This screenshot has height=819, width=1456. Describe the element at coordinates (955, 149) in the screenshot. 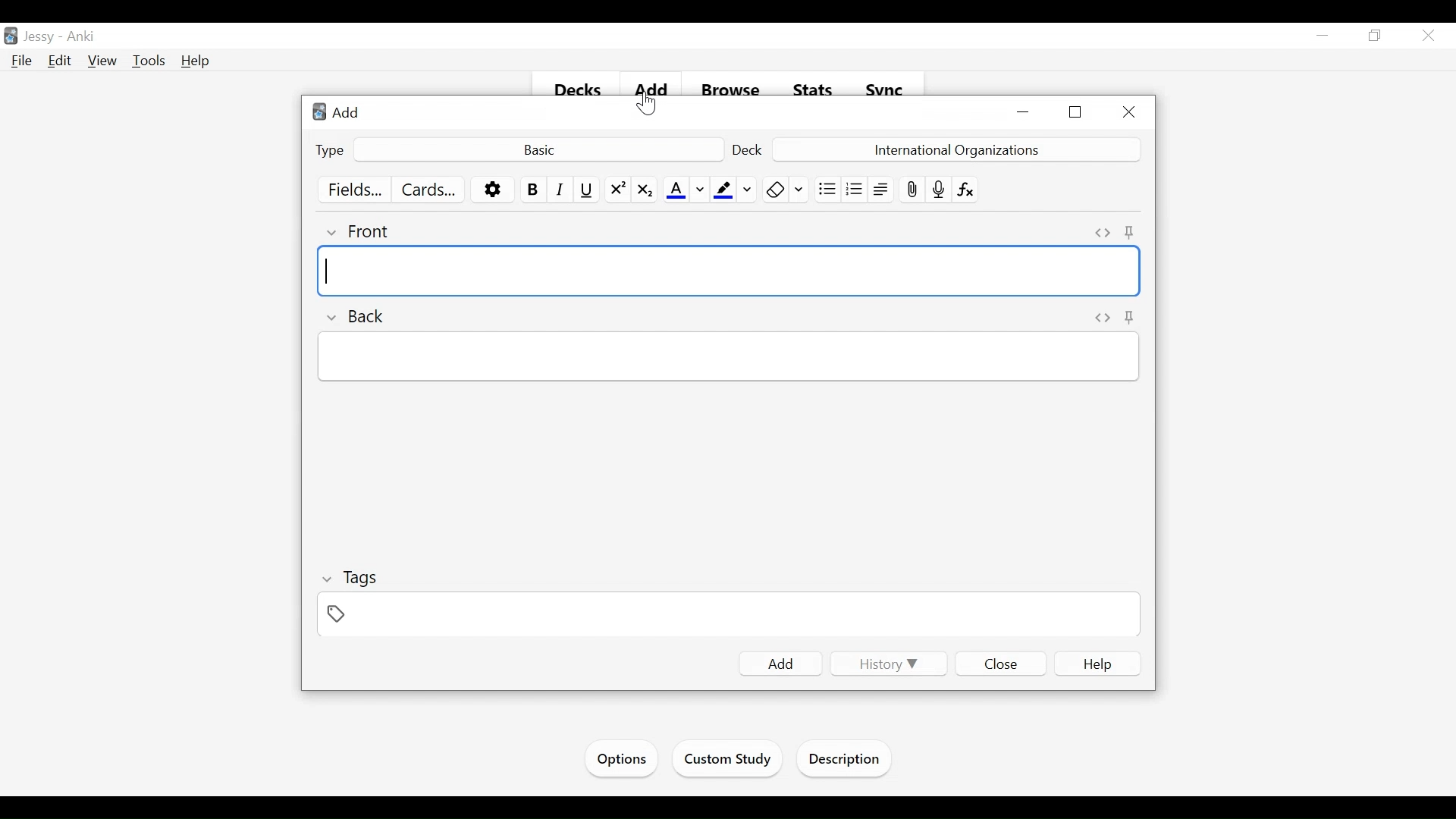

I see `Deck Name` at that location.